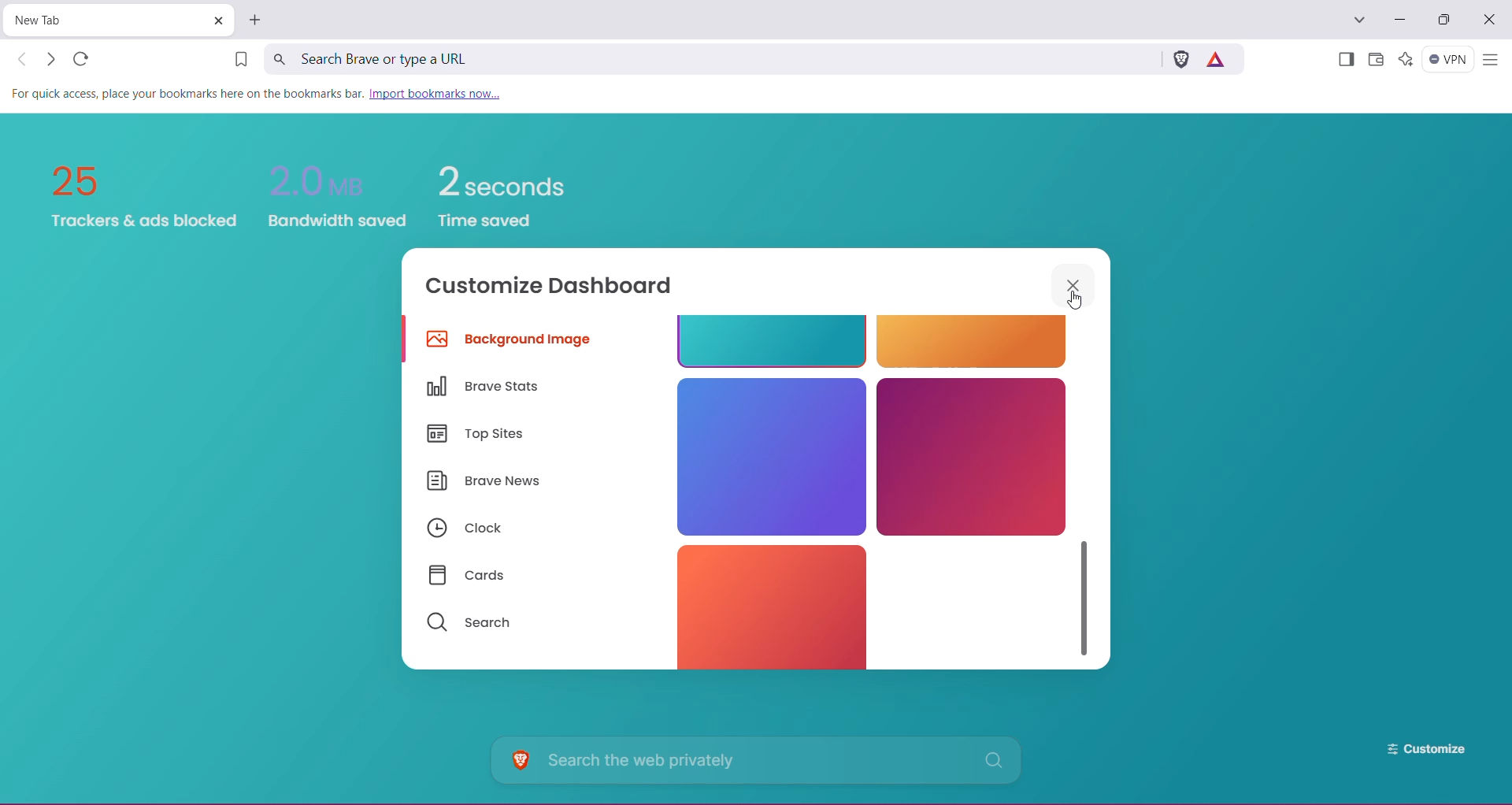 The width and height of the screenshot is (1512, 805). What do you see at coordinates (489, 387) in the screenshot?
I see `Brave Stats` at bounding box center [489, 387].